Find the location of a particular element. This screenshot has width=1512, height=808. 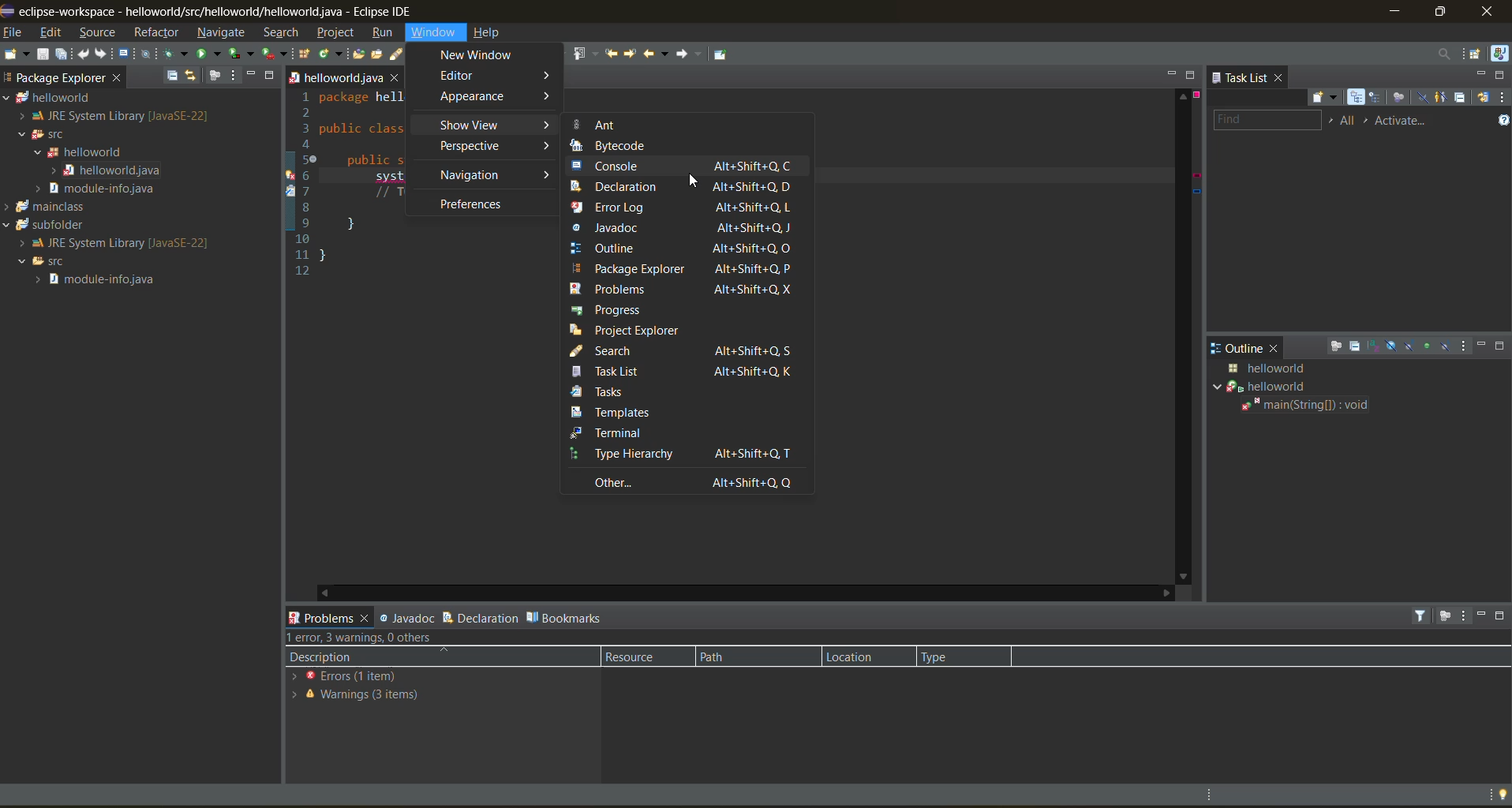

help is located at coordinates (492, 36).